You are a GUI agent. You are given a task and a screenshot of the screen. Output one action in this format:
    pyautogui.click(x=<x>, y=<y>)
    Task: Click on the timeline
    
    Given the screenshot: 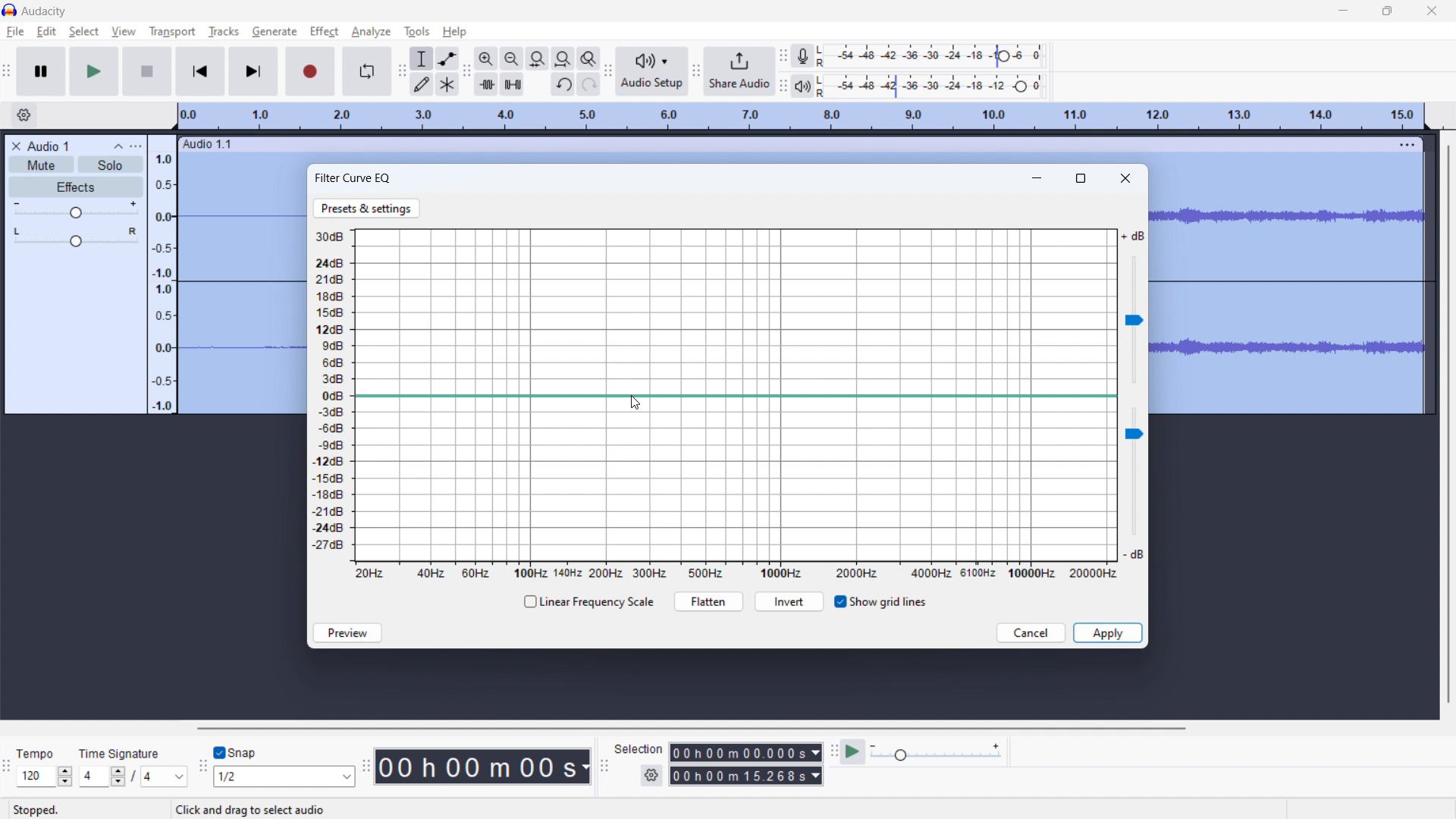 What is the action you would take?
    pyautogui.click(x=803, y=117)
    